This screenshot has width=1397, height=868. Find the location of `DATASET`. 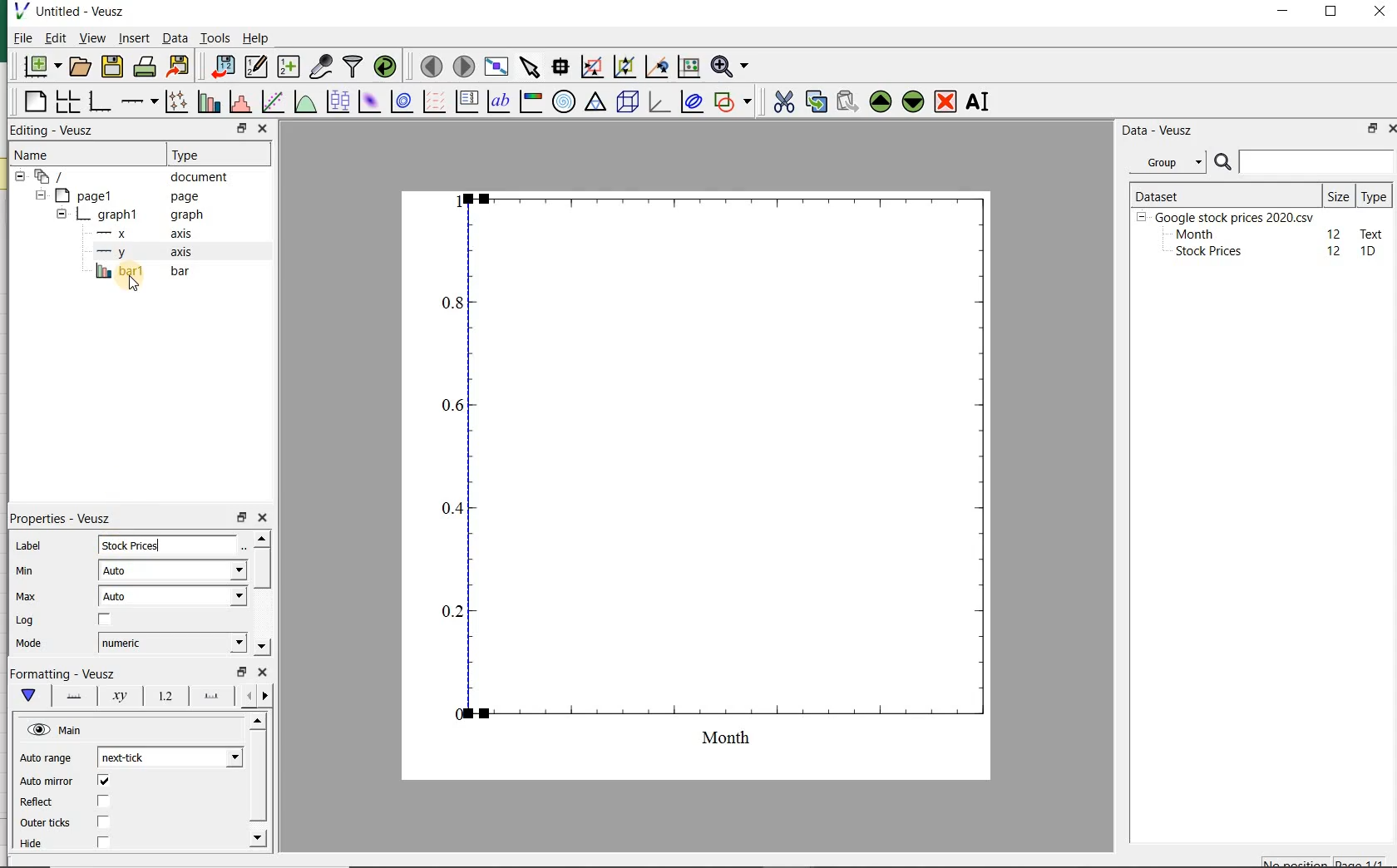

DATASET is located at coordinates (1224, 193).